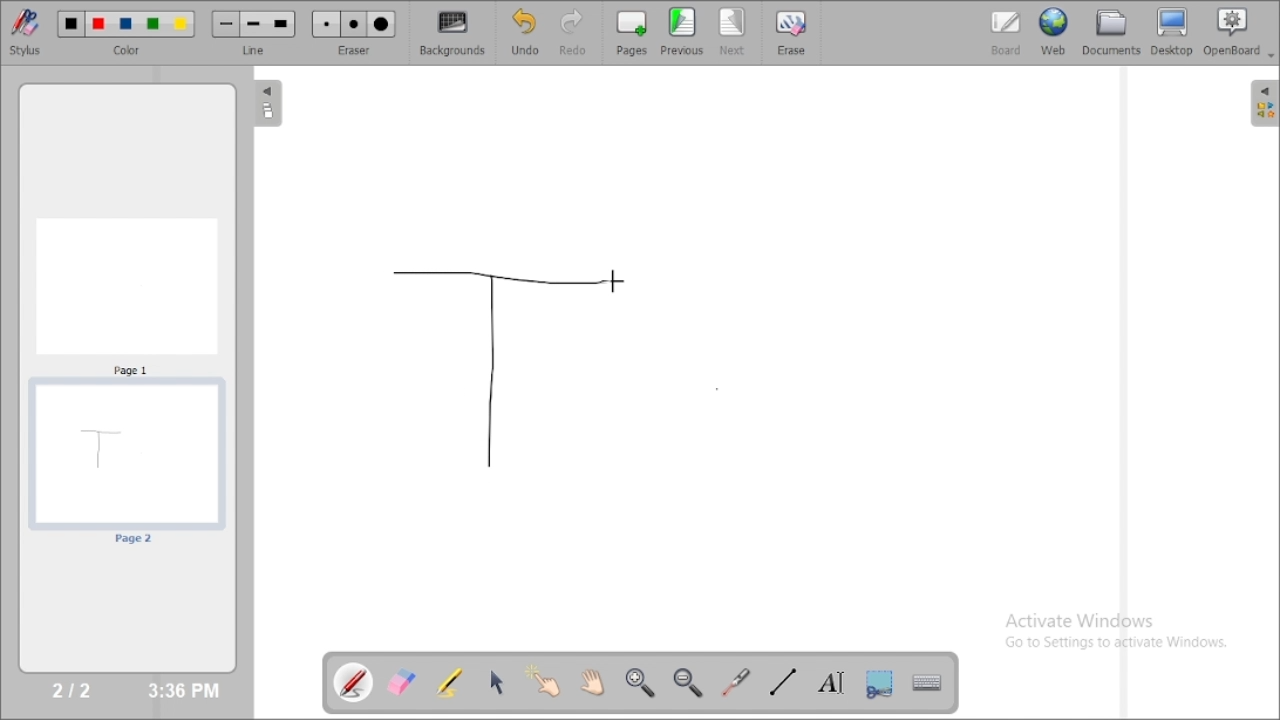  I want to click on openboard, so click(1239, 33).